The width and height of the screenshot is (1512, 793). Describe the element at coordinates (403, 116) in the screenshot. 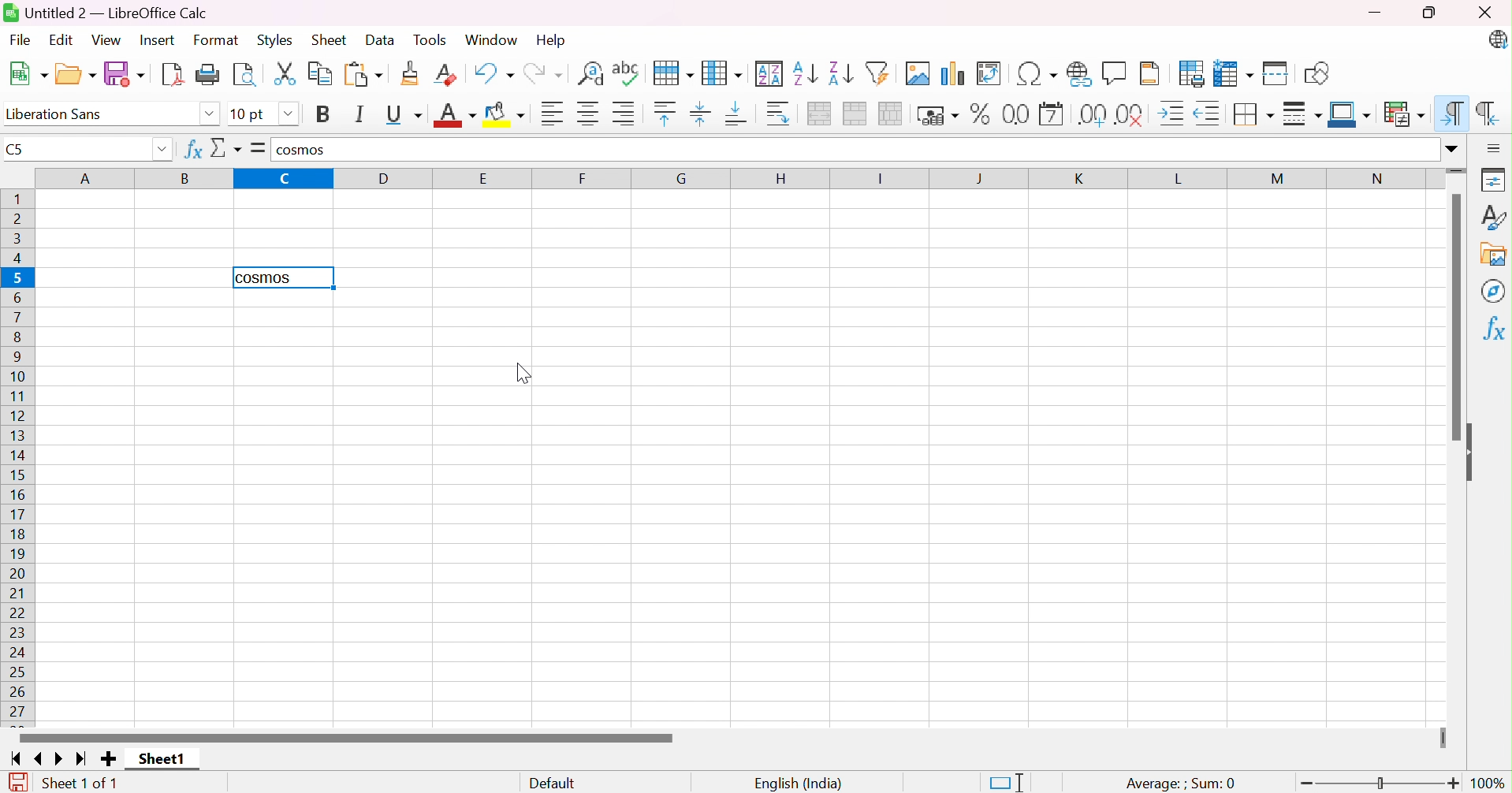

I see `Underline` at that location.